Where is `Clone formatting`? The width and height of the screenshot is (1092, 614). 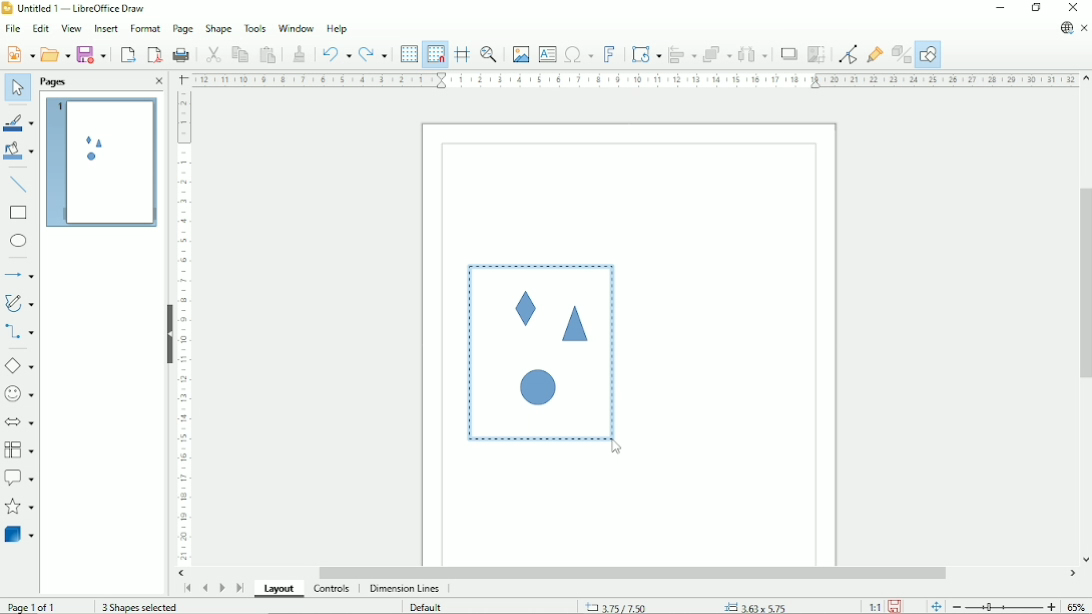 Clone formatting is located at coordinates (300, 53).